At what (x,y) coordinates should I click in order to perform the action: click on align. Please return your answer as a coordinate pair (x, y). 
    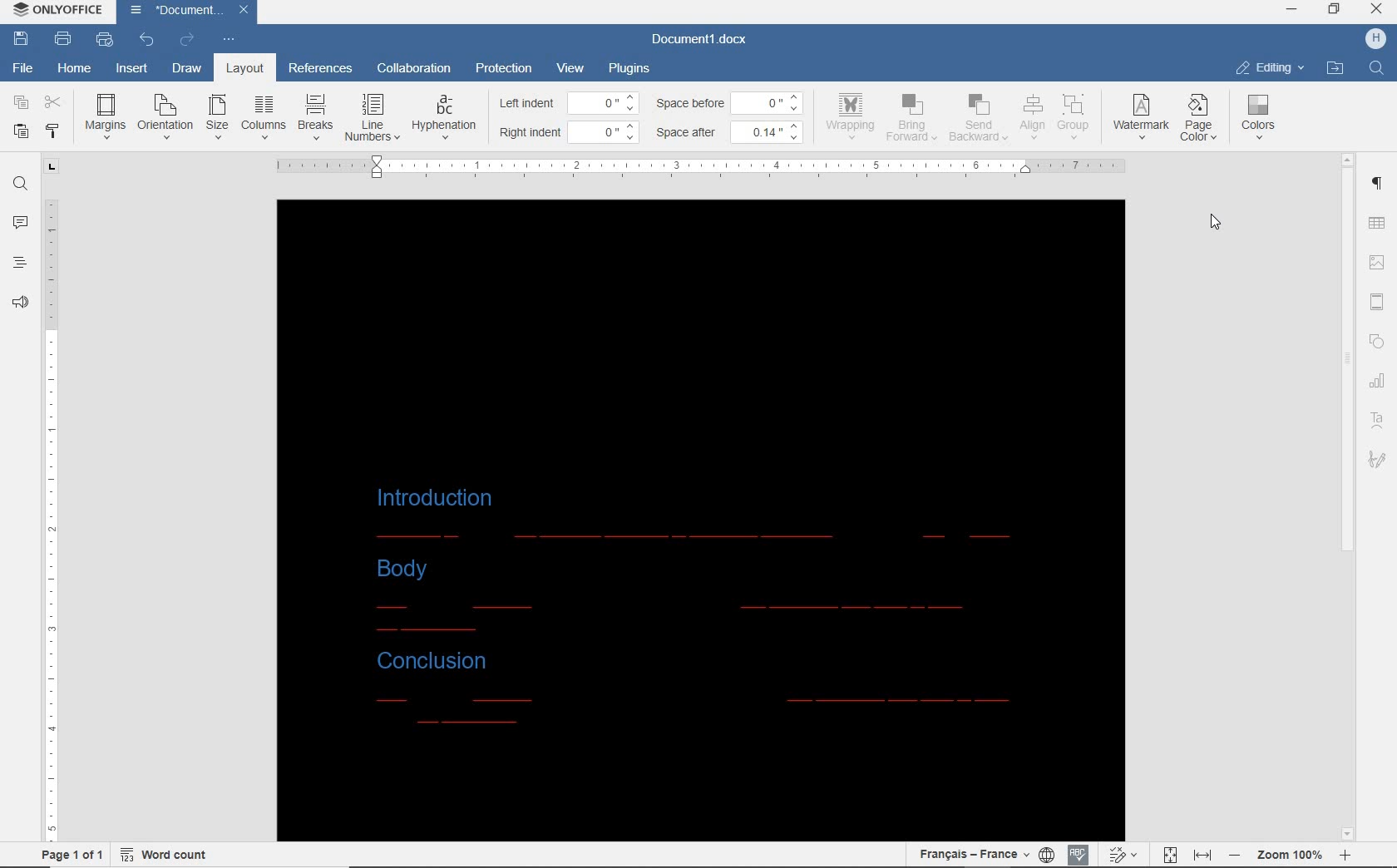
    Looking at the image, I should click on (1031, 116).